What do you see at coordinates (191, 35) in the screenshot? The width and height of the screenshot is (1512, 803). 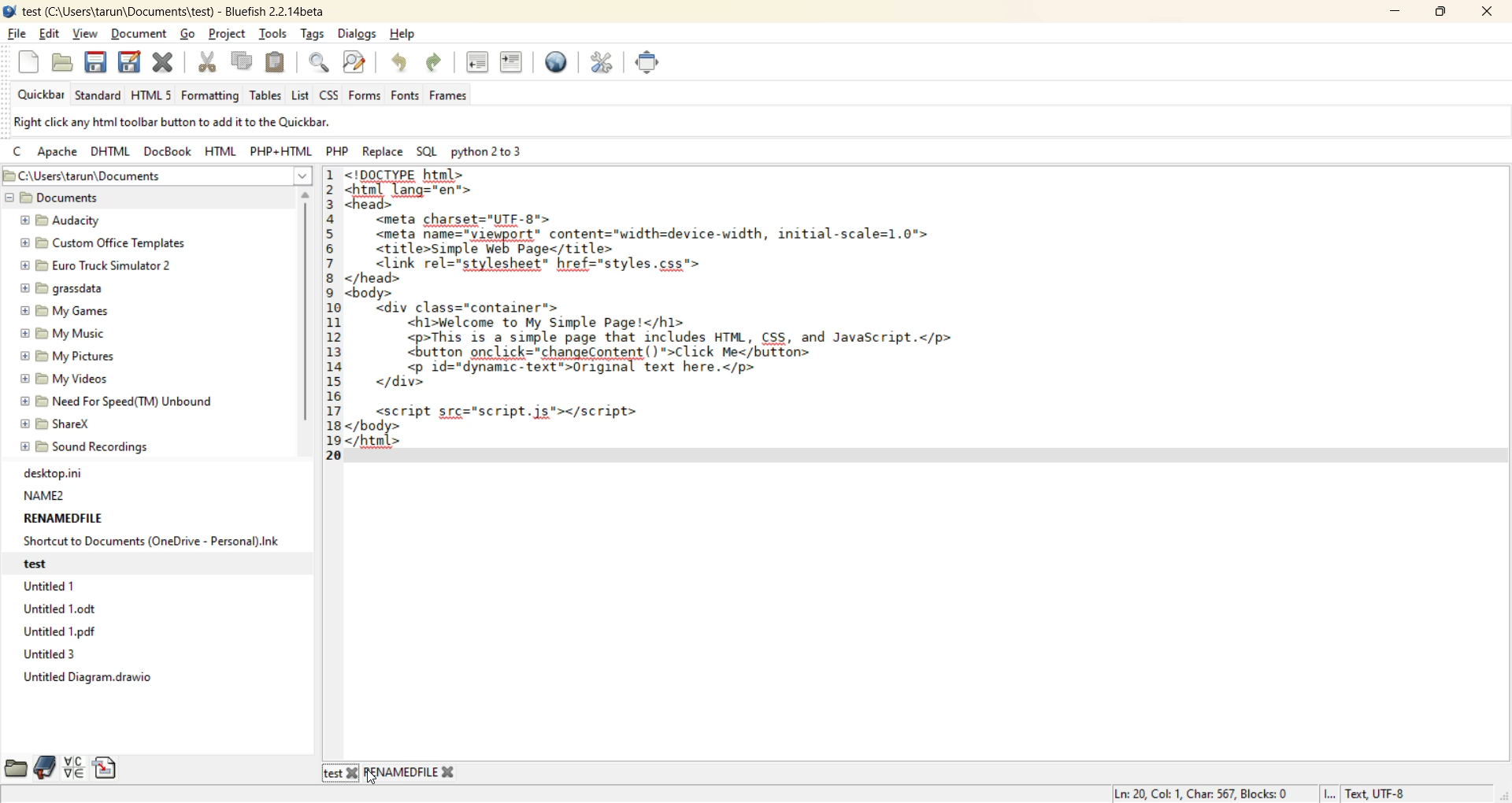 I see `go` at bounding box center [191, 35].